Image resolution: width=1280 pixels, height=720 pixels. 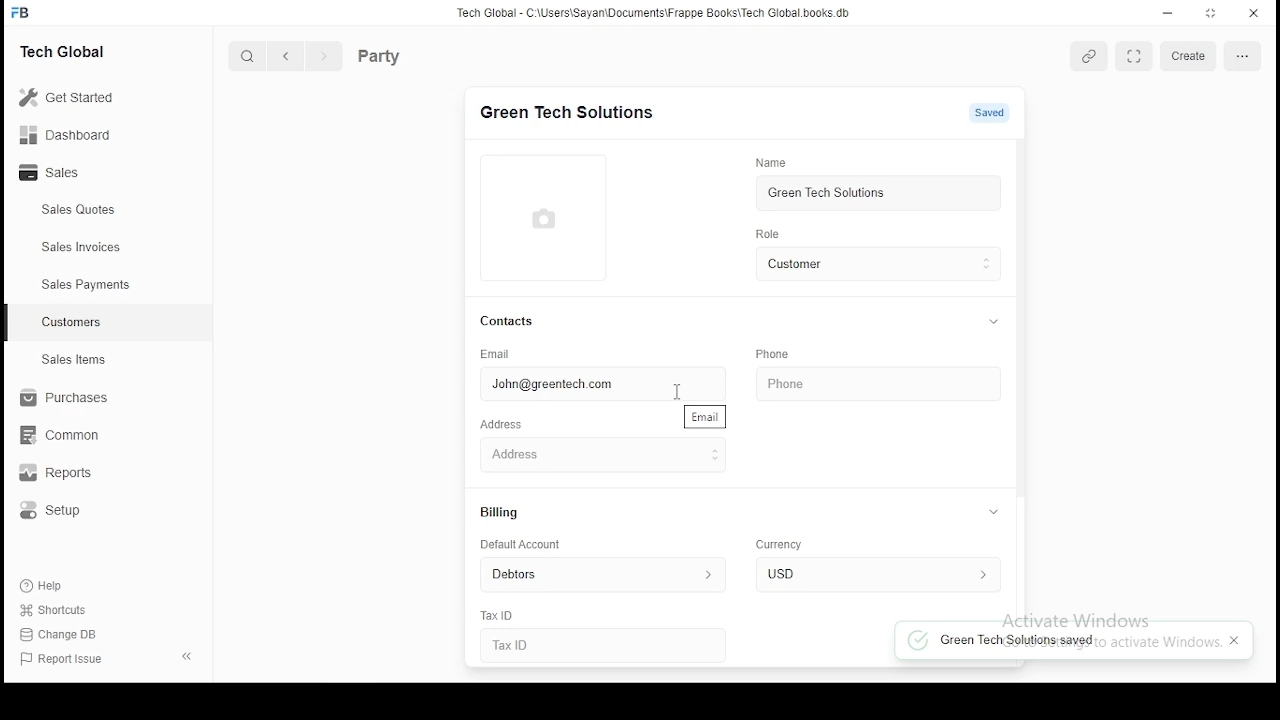 I want to click on mouse pointer, so click(x=679, y=389).